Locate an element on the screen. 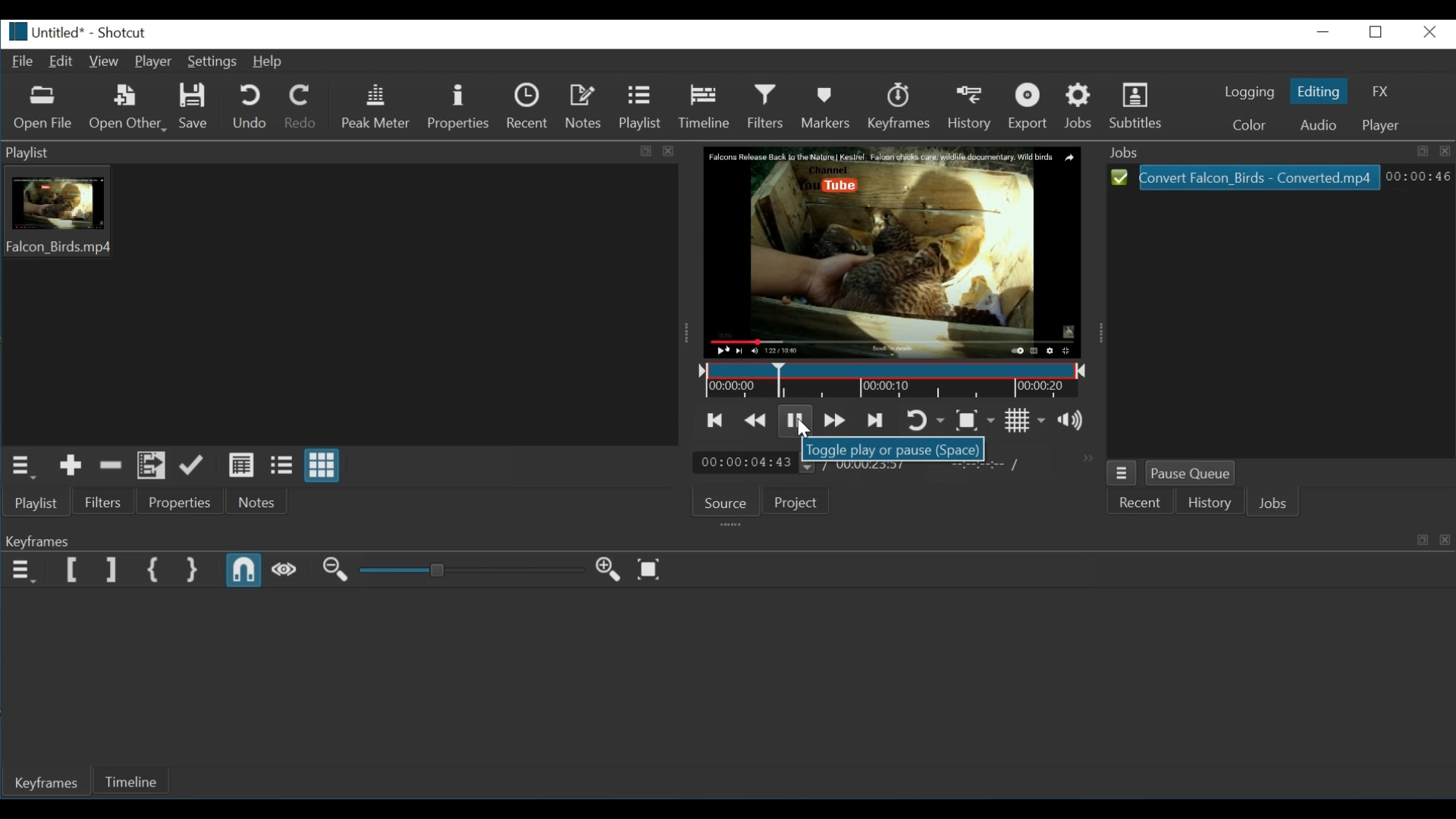  Jobs is located at coordinates (1275, 503).